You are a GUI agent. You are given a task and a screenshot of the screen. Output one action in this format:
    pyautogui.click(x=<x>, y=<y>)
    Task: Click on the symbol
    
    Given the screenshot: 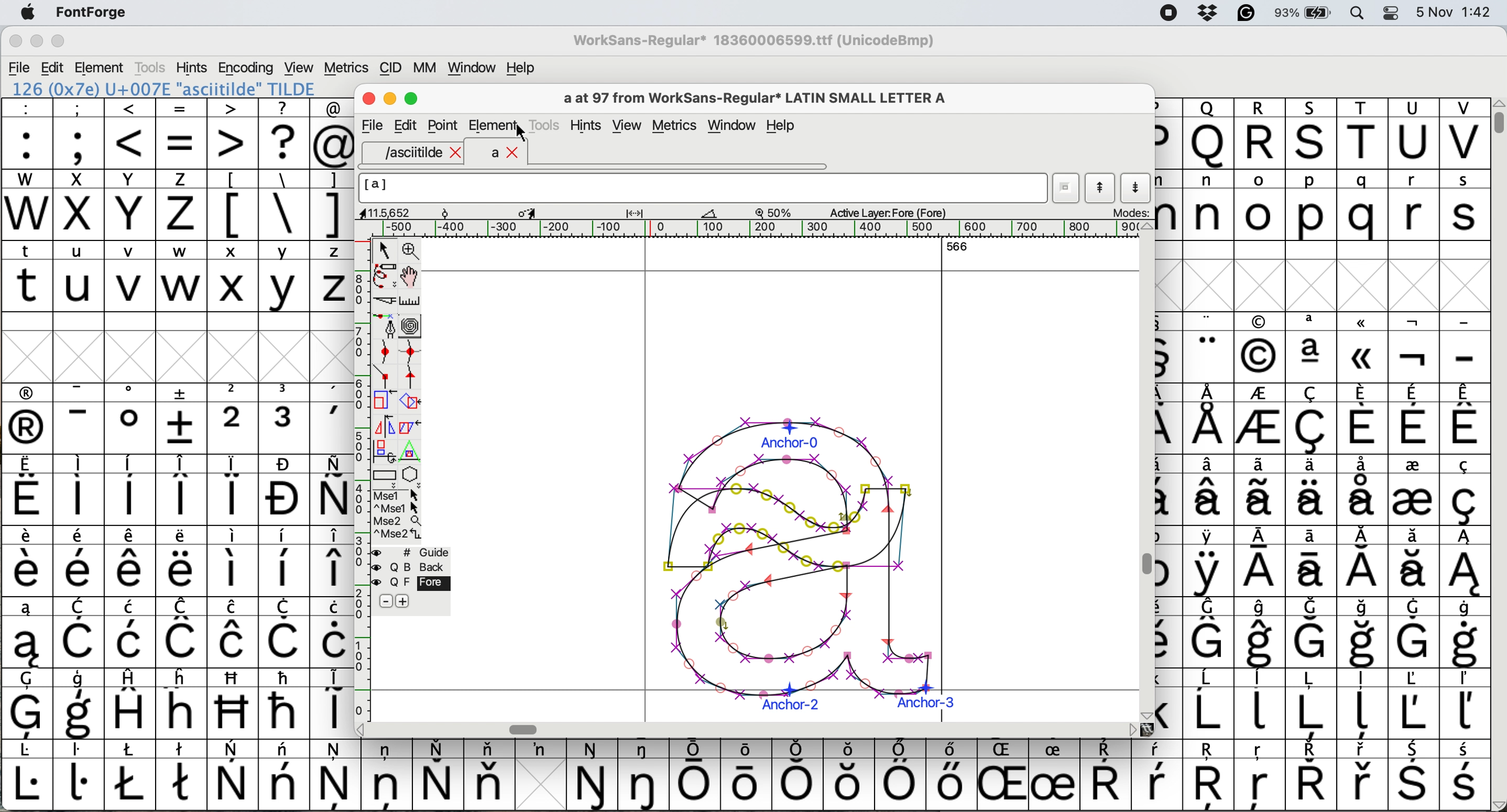 What is the action you would take?
    pyautogui.click(x=234, y=490)
    